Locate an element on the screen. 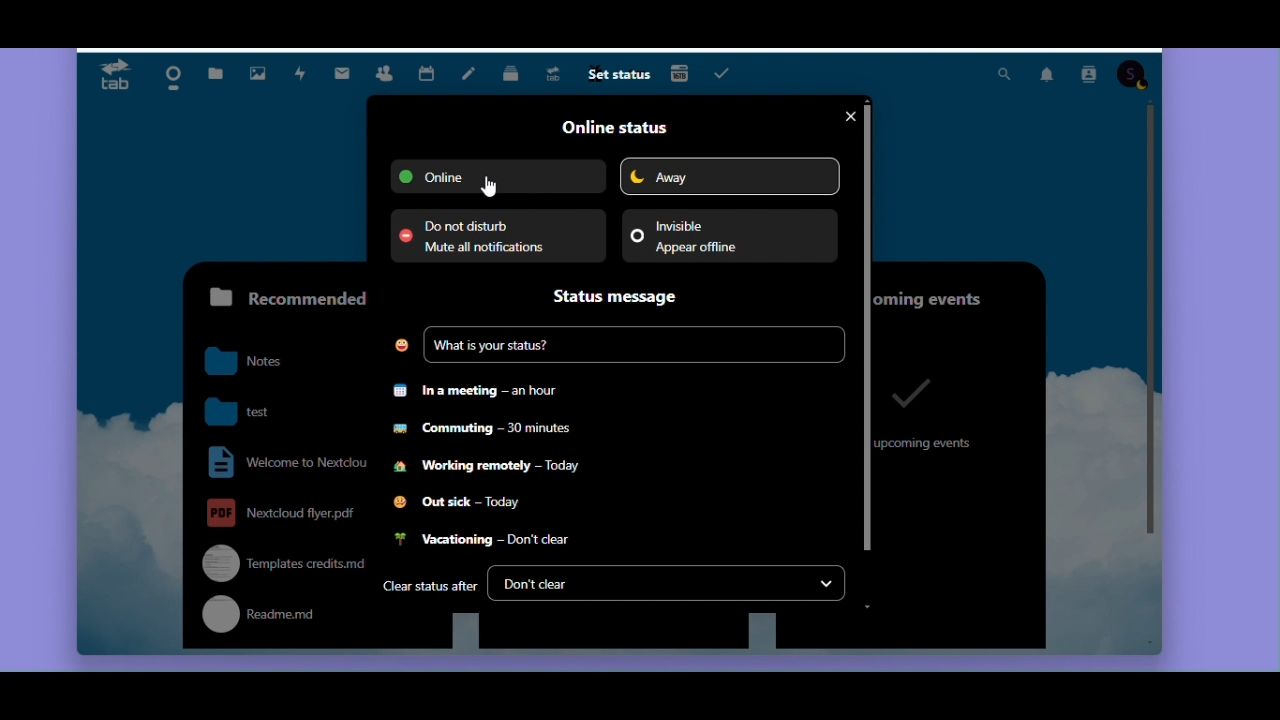 Image resolution: width=1280 pixels, height=720 pixels. Upcoming events is located at coordinates (953, 293).